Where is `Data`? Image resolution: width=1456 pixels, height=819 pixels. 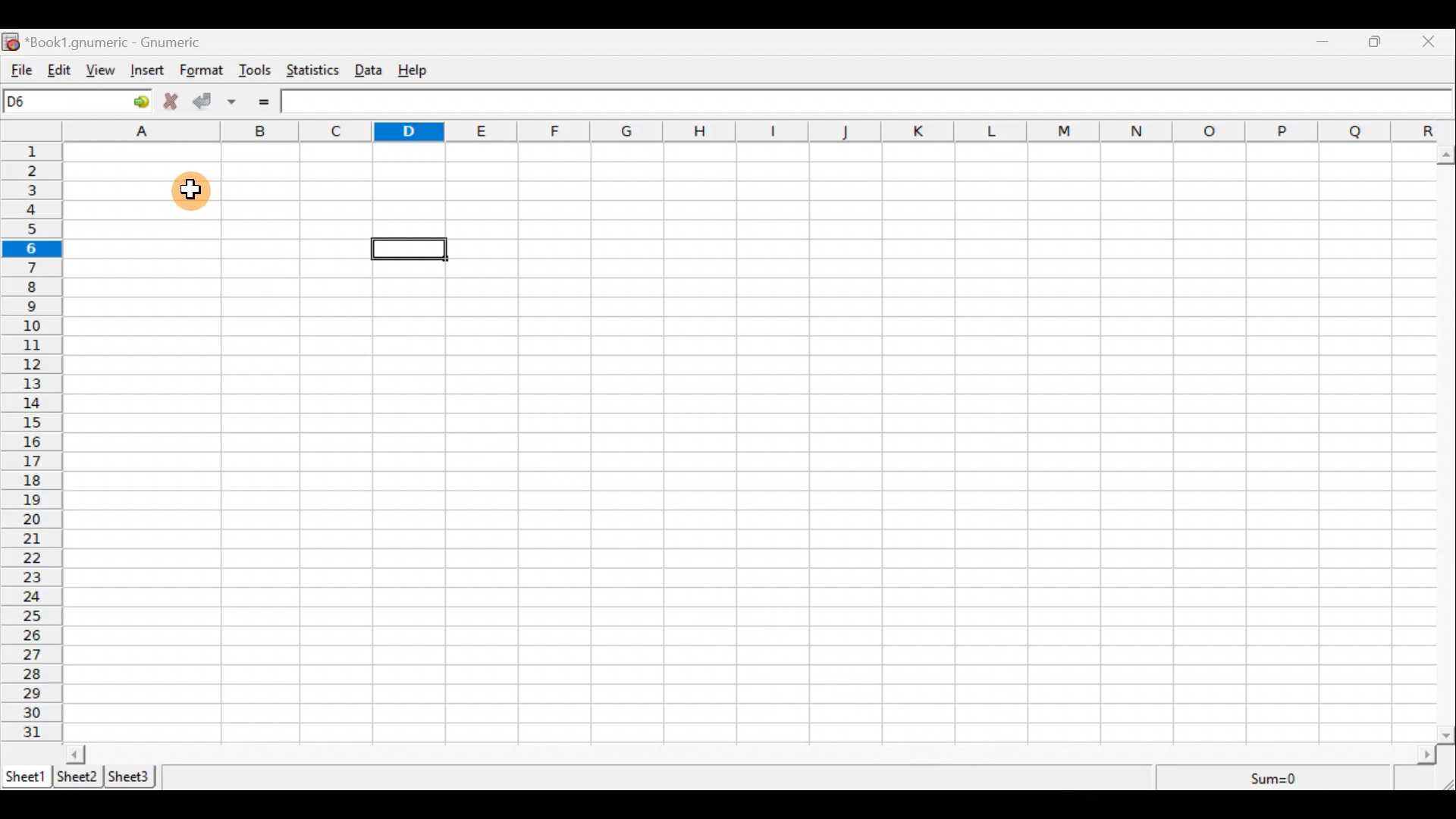 Data is located at coordinates (373, 71).